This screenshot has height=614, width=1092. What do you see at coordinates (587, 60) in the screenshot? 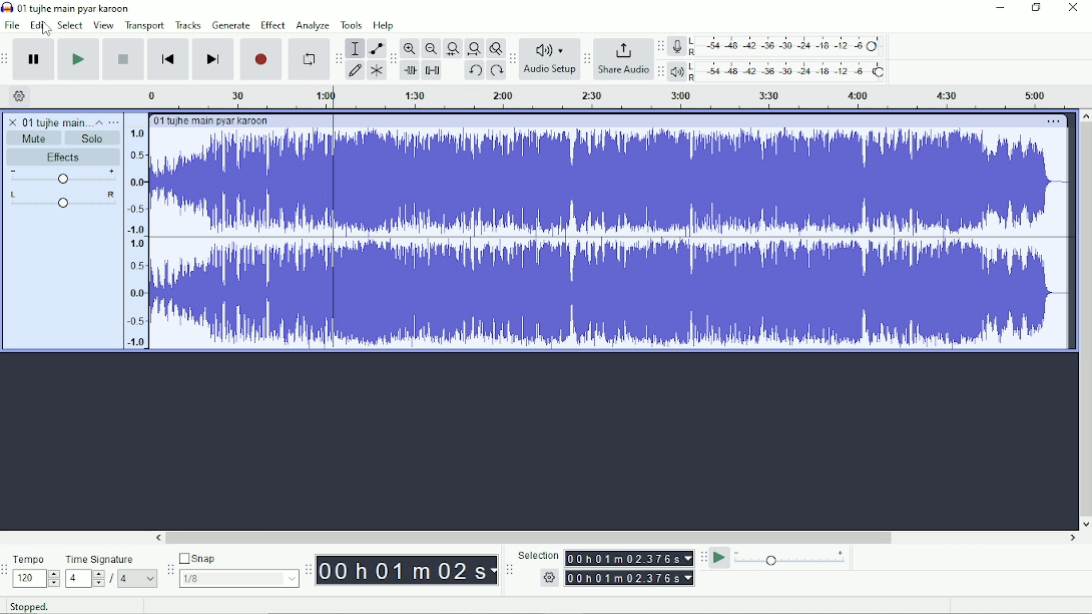
I see `Audacity share audio toolbar` at bounding box center [587, 60].